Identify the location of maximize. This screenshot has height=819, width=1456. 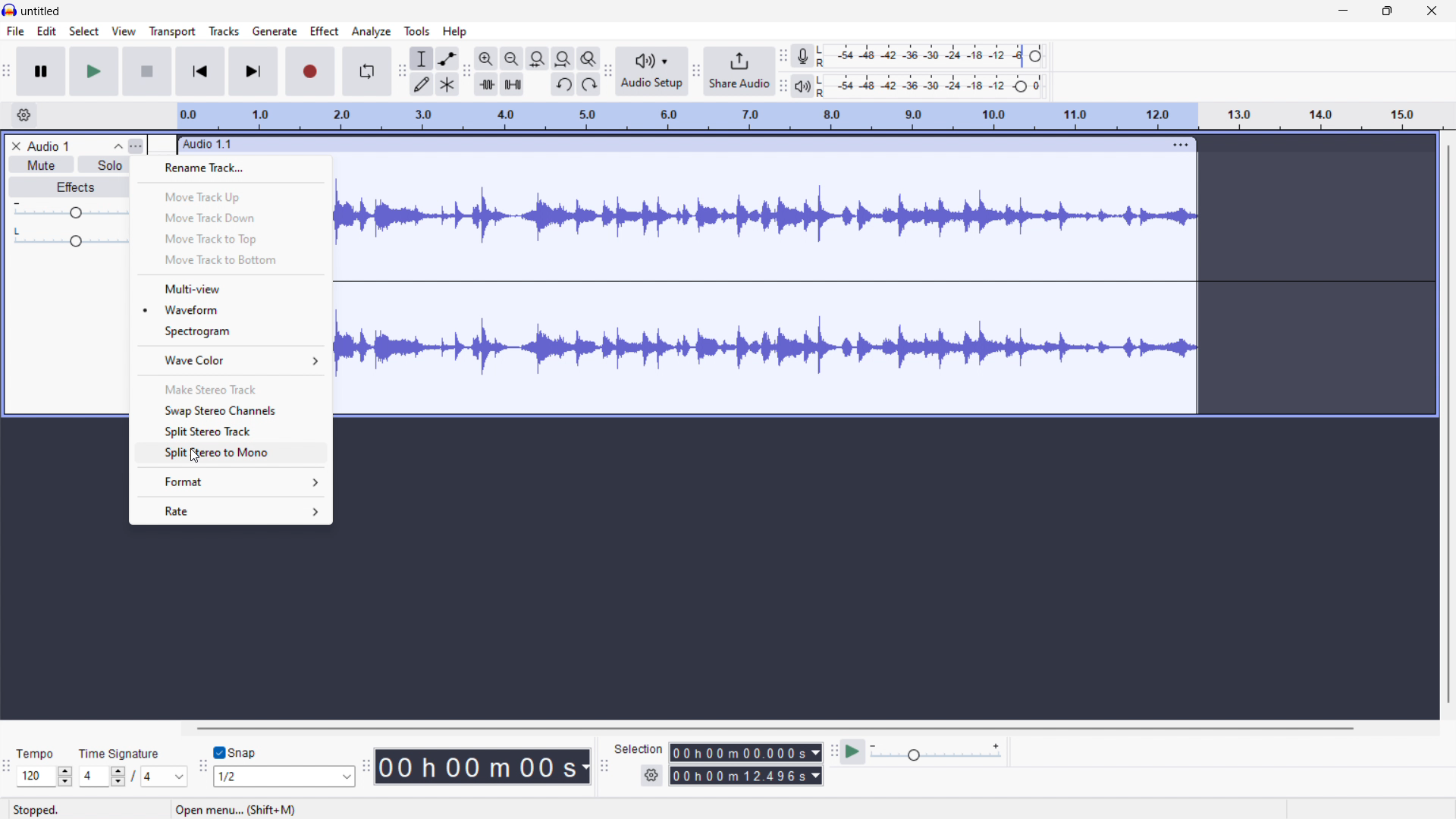
(1387, 11).